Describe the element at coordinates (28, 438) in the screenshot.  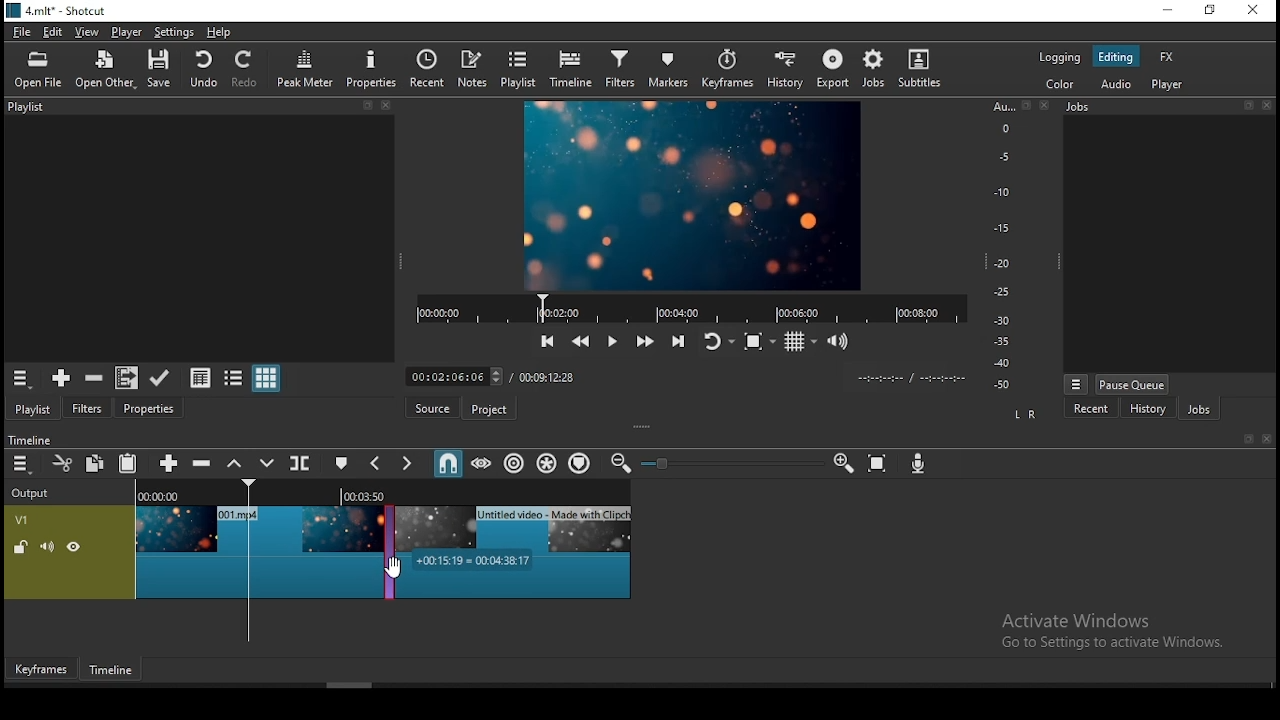
I see `timeline` at that location.